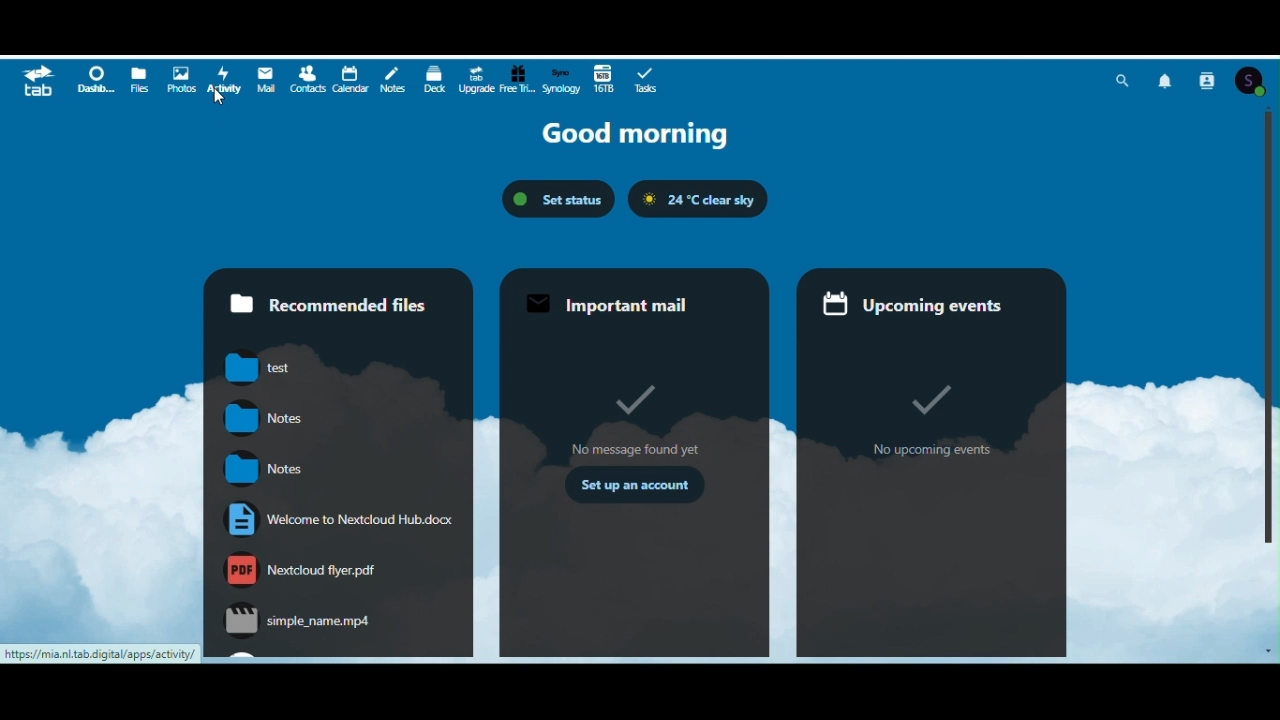 The height and width of the screenshot is (720, 1280). I want to click on Important mail, so click(636, 462).